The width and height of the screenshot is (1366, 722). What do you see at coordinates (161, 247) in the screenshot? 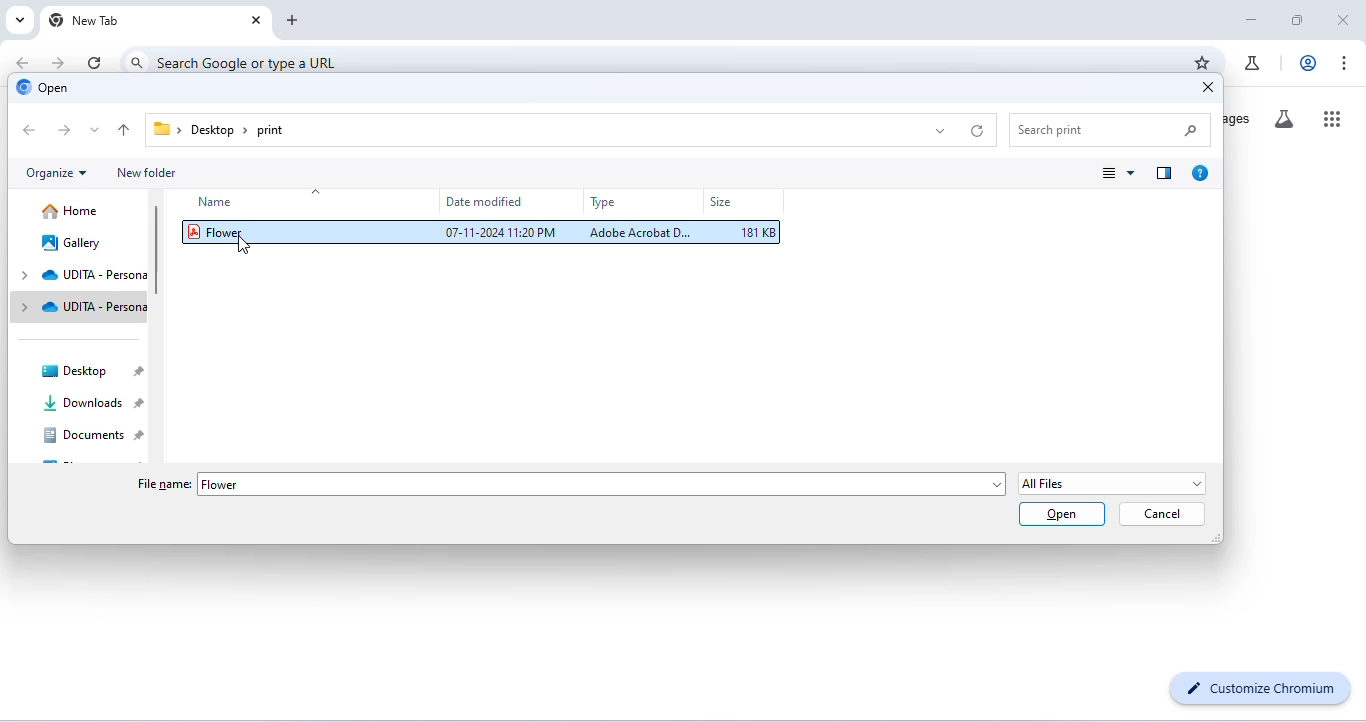
I see `vertical scroll bar` at bounding box center [161, 247].